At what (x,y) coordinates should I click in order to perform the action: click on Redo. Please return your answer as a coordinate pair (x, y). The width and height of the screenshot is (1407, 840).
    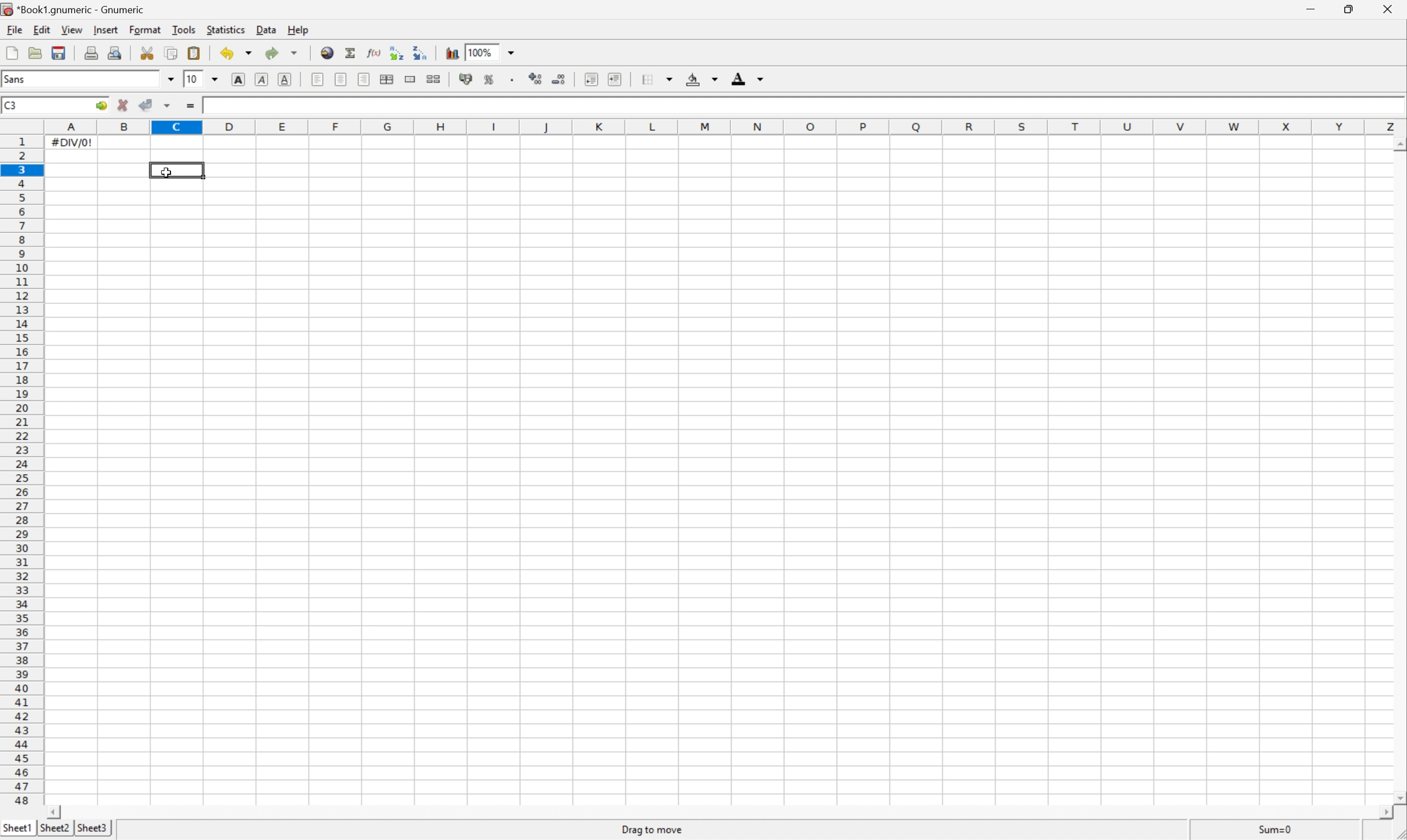
    Looking at the image, I should click on (272, 54).